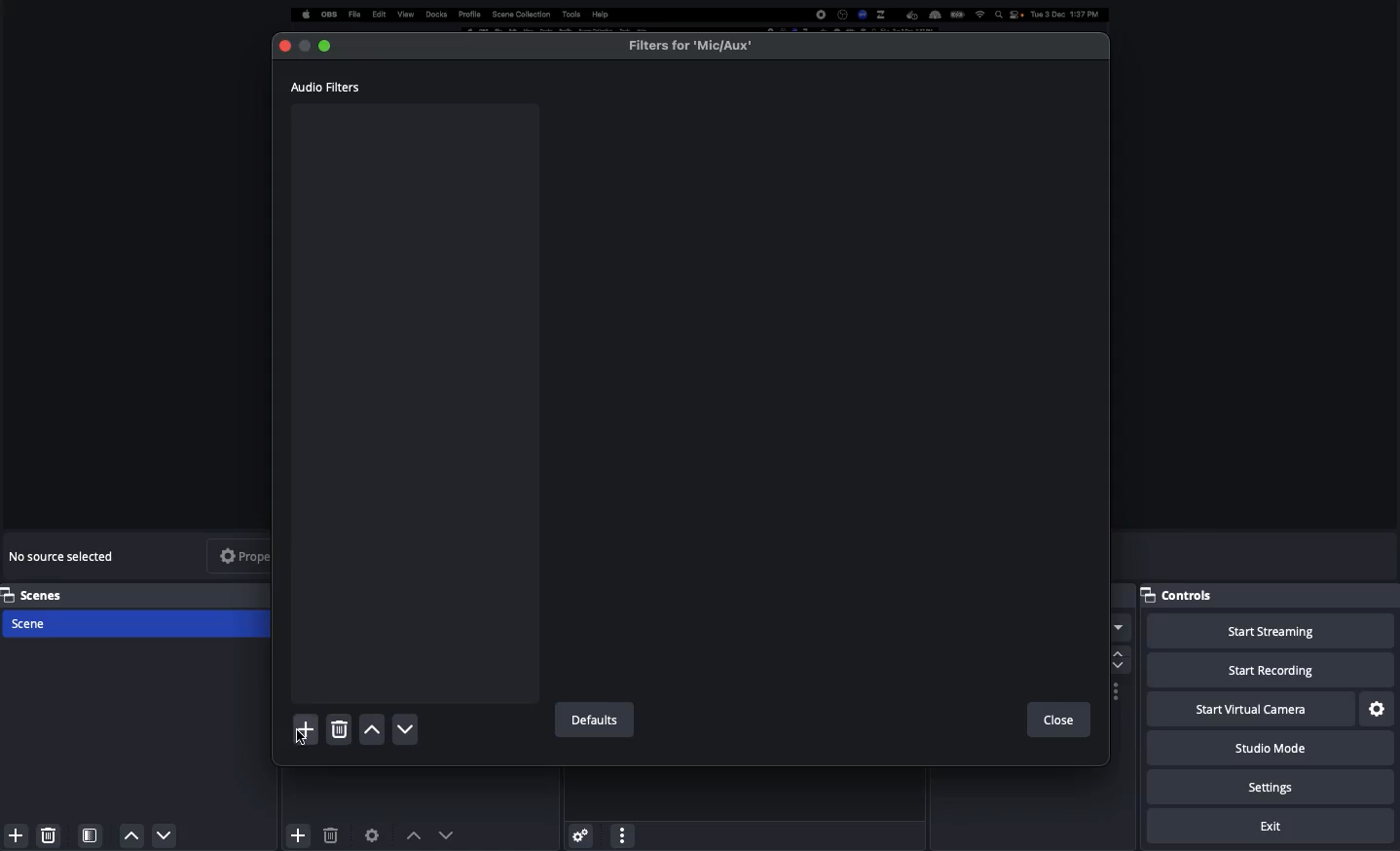 The width and height of the screenshot is (1400, 851). What do you see at coordinates (138, 594) in the screenshot?
I see `Scenes` at bounding box center [138, 594].